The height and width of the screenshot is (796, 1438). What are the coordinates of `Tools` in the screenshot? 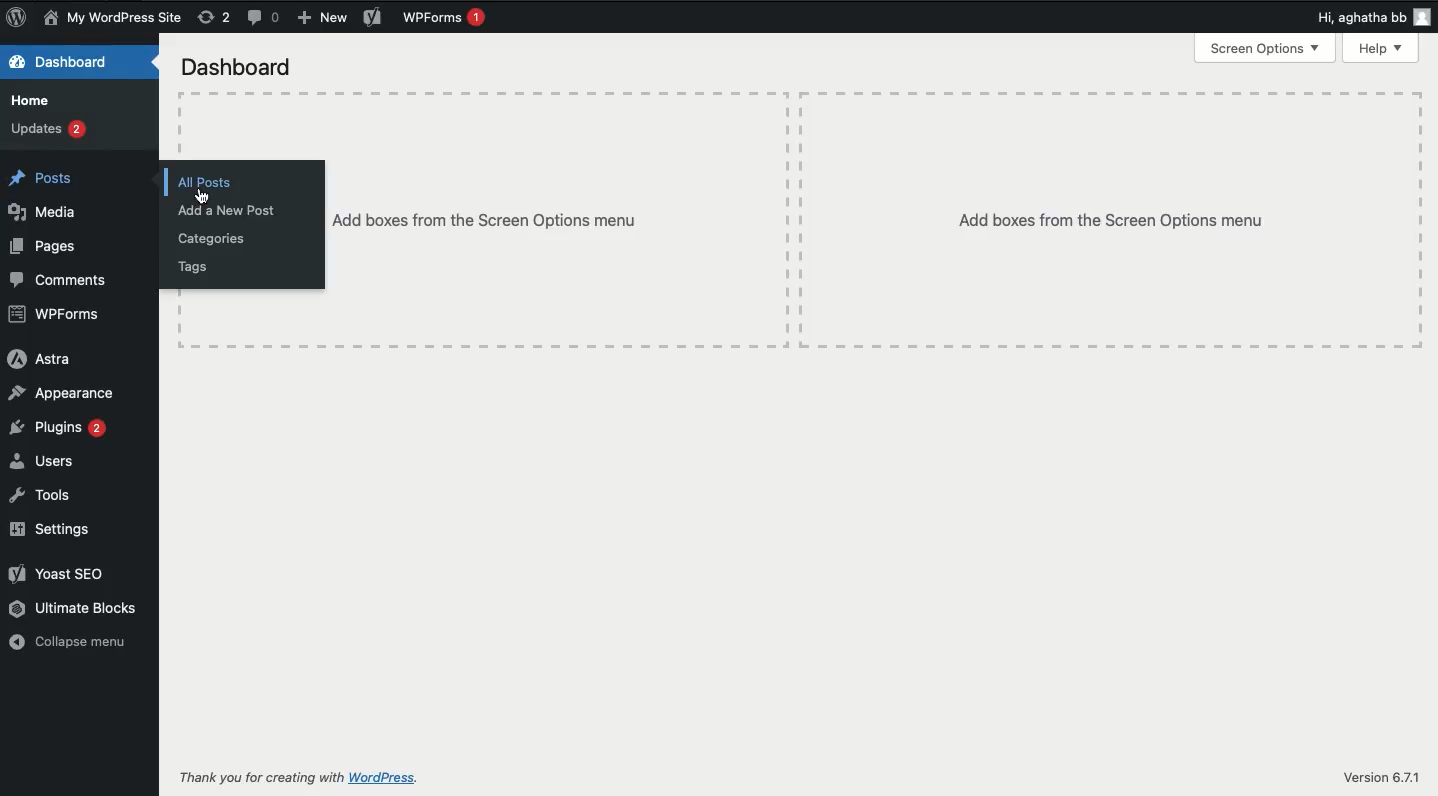 It's located at (39, 493).